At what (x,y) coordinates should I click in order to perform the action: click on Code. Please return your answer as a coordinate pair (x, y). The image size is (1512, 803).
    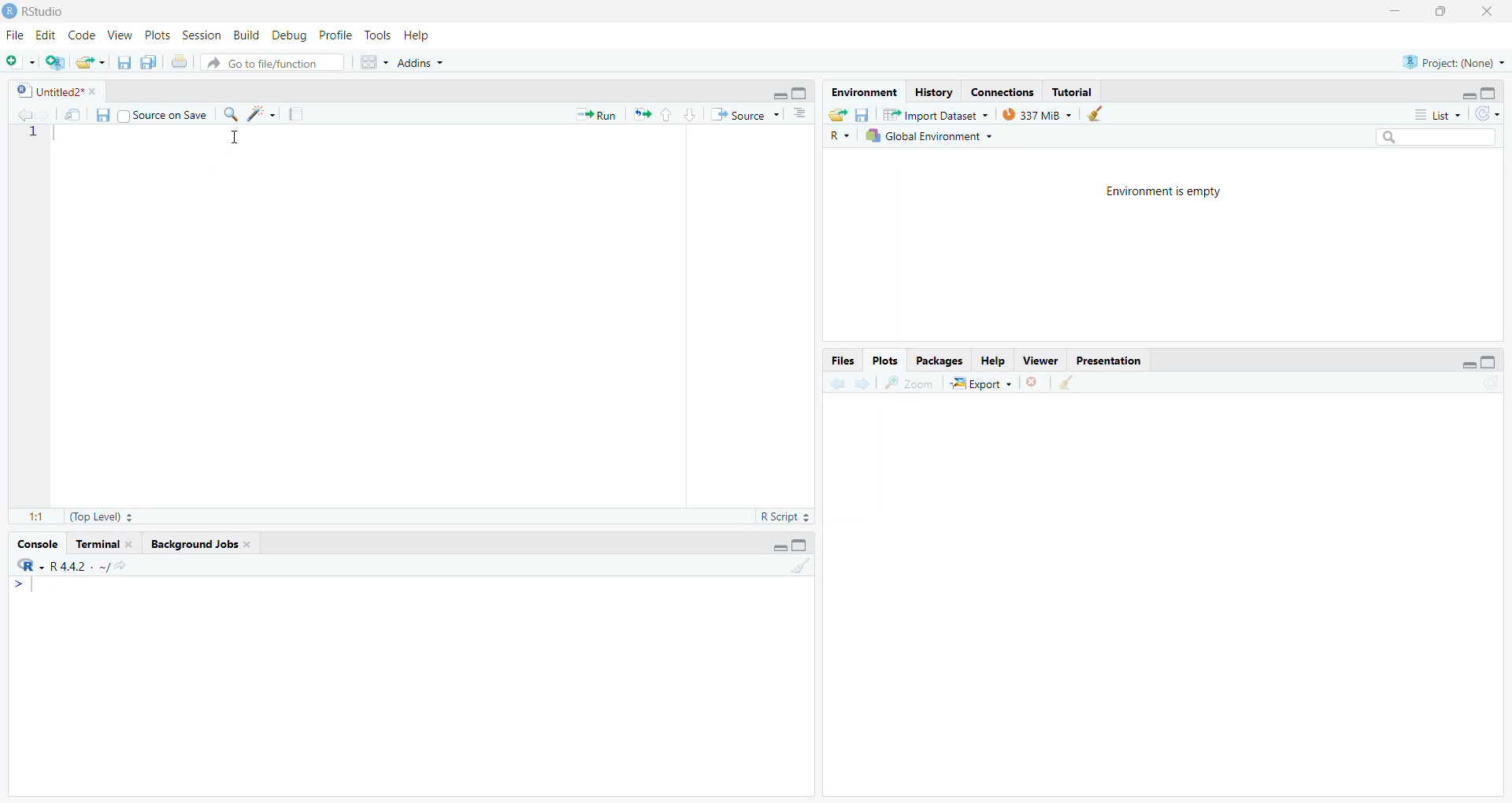
    Looking at the image, I should click on (83, 35).